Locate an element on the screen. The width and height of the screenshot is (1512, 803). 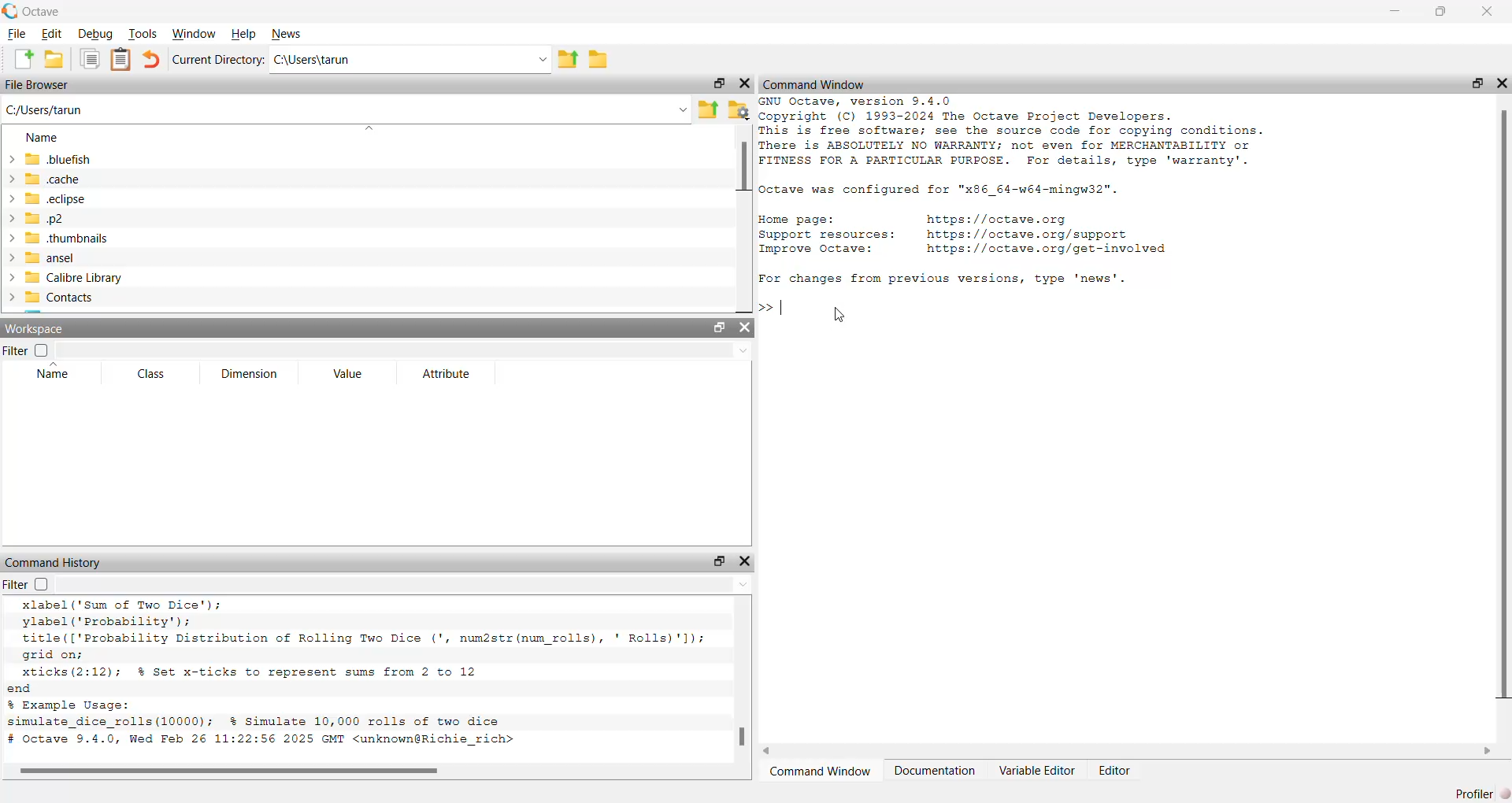
Help is located at coordinates (243, 33).